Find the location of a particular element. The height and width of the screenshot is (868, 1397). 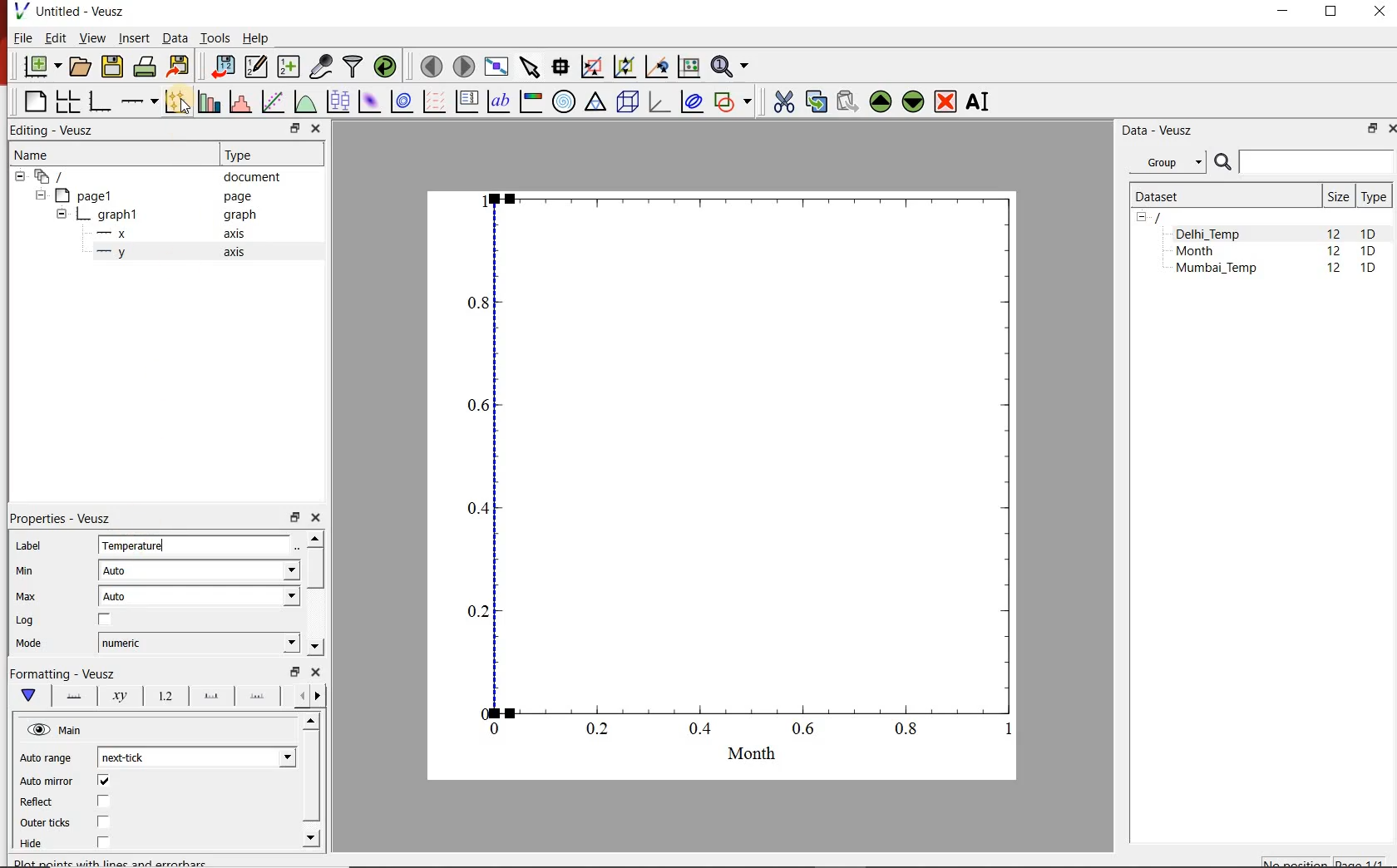

zoom functions menu is located at coordinates (732, 67).